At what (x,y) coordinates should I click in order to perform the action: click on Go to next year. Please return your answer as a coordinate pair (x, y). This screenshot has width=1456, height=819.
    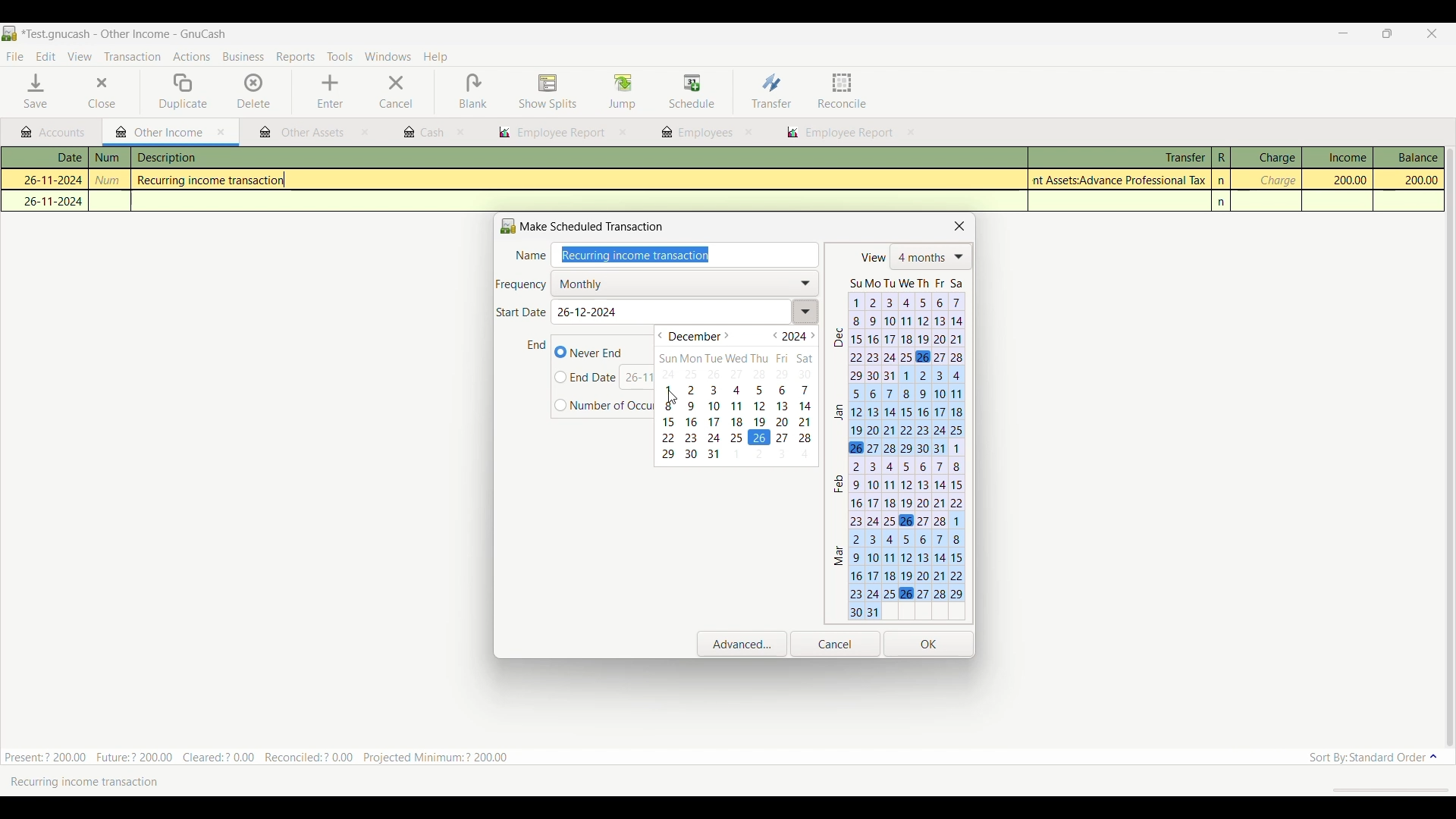
    Looking at the image, I should click on (813, 335).